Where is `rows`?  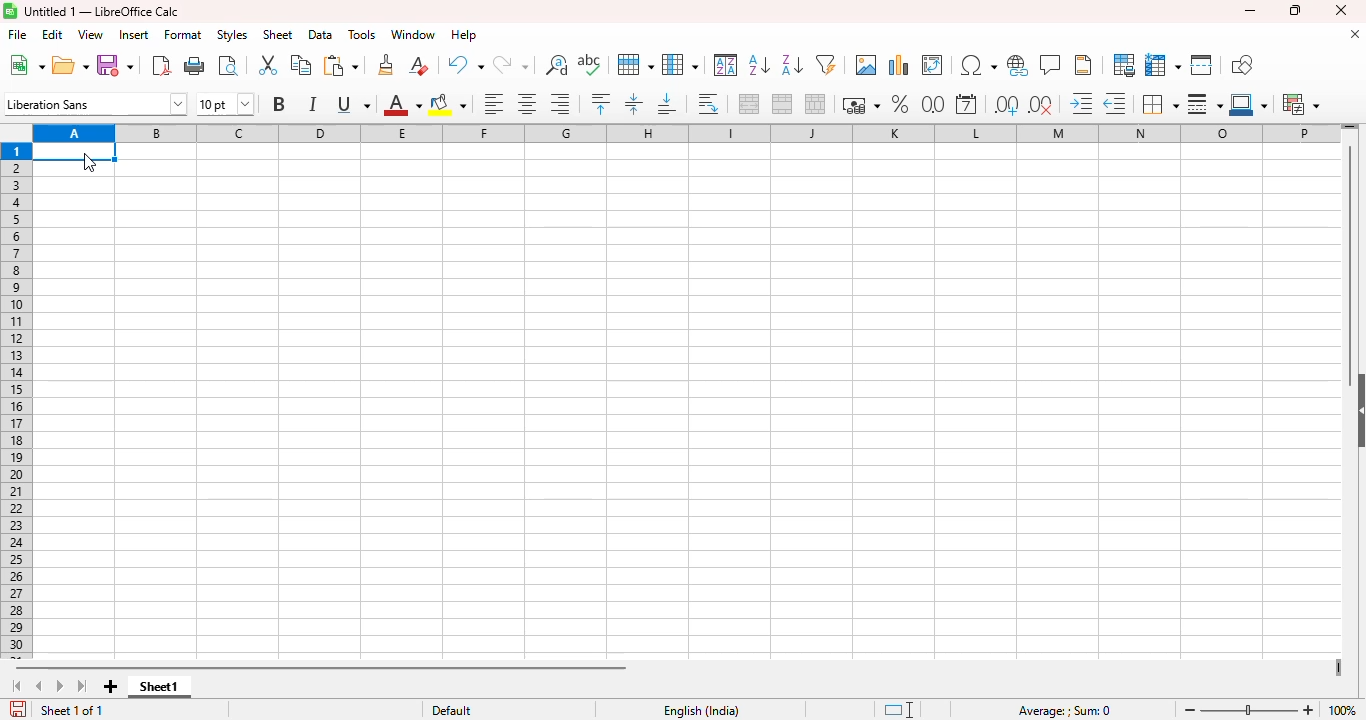
rows is located at coordinates (16, 402).